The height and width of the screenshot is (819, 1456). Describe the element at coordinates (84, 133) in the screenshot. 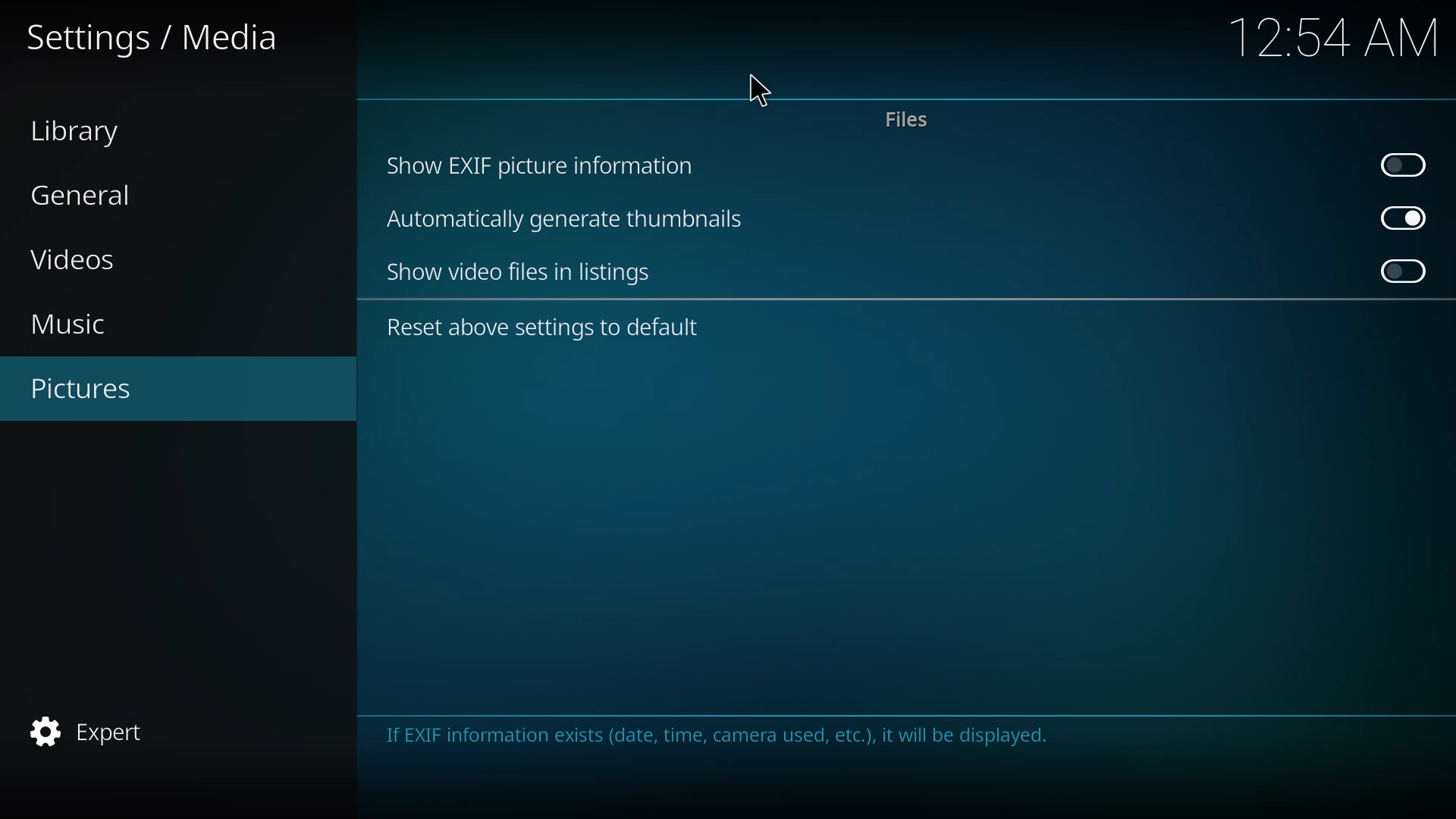

I see `library` at that location.